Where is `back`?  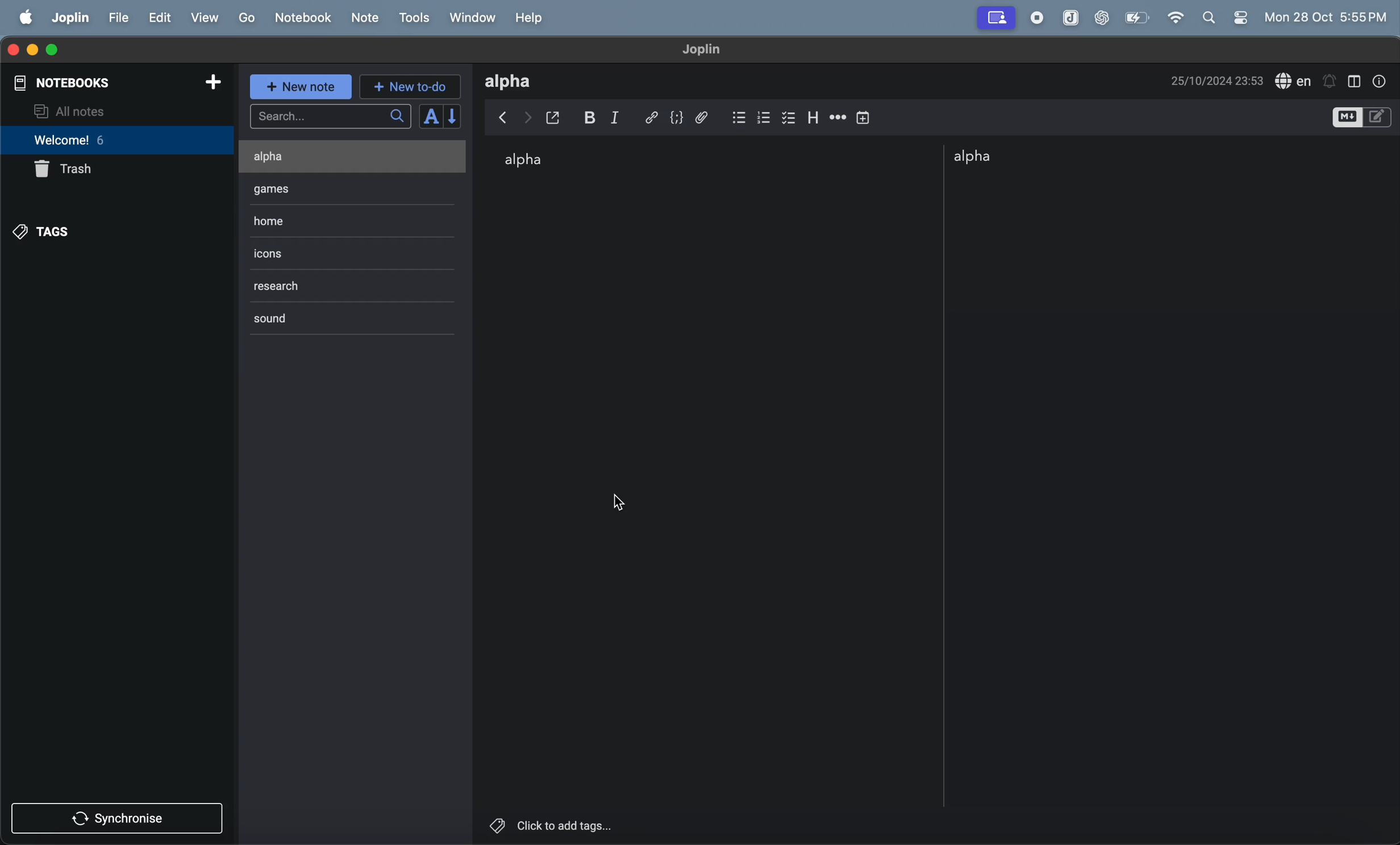 back is located at coordinates (501, 118).